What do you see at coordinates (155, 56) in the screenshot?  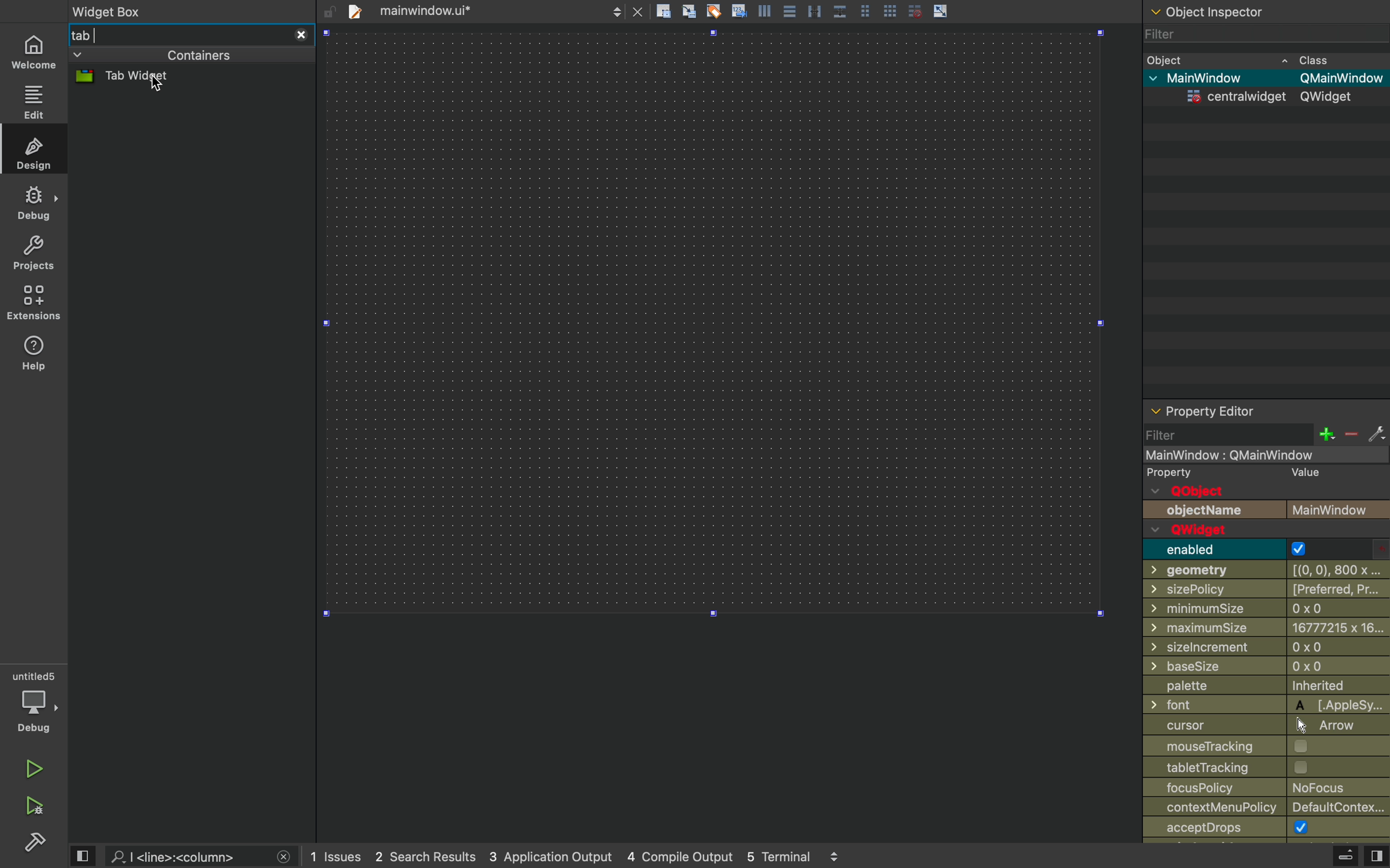 I see `containers` at bounding box center [155, 56].